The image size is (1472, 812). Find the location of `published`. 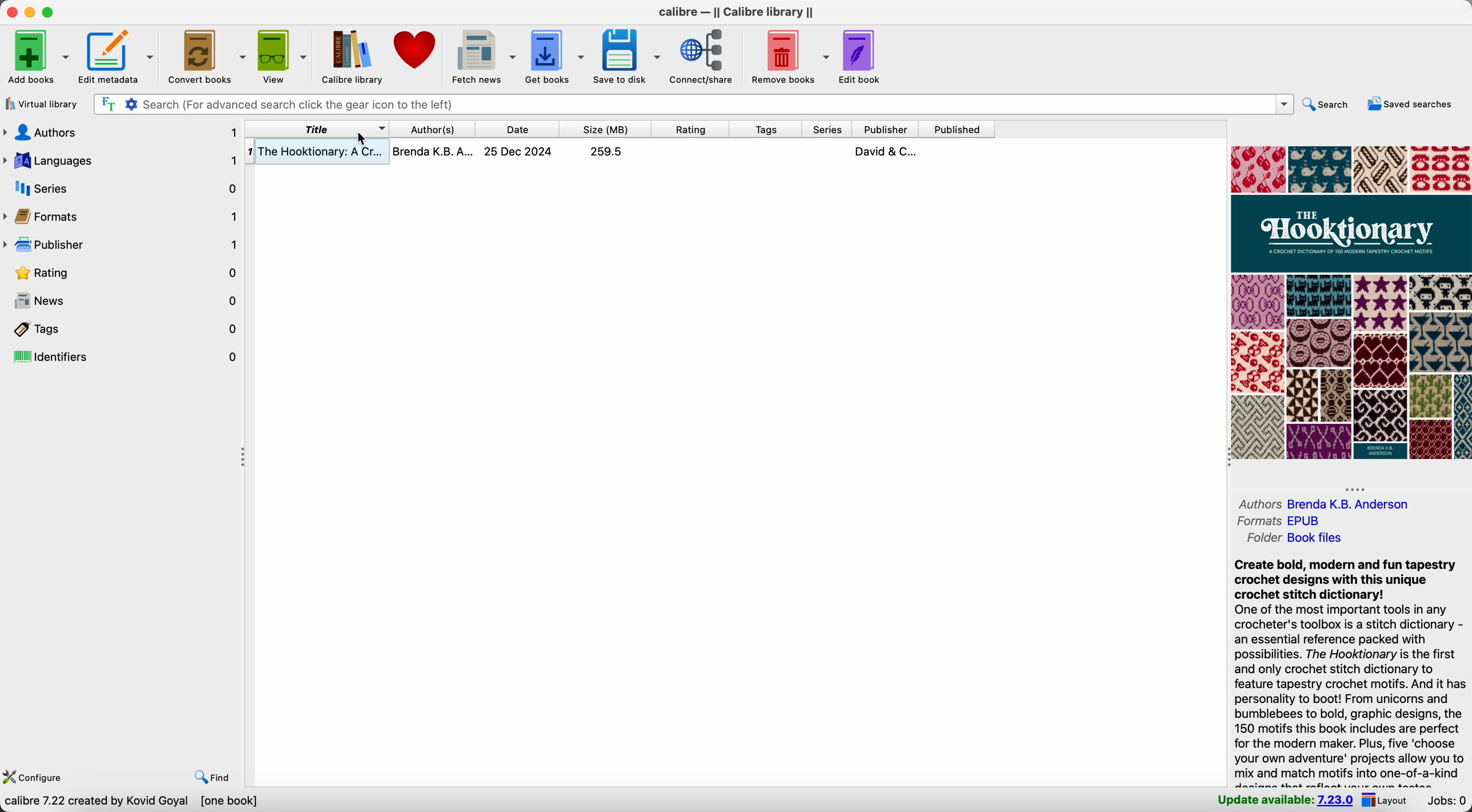

published is located at coordinates (958, 129).